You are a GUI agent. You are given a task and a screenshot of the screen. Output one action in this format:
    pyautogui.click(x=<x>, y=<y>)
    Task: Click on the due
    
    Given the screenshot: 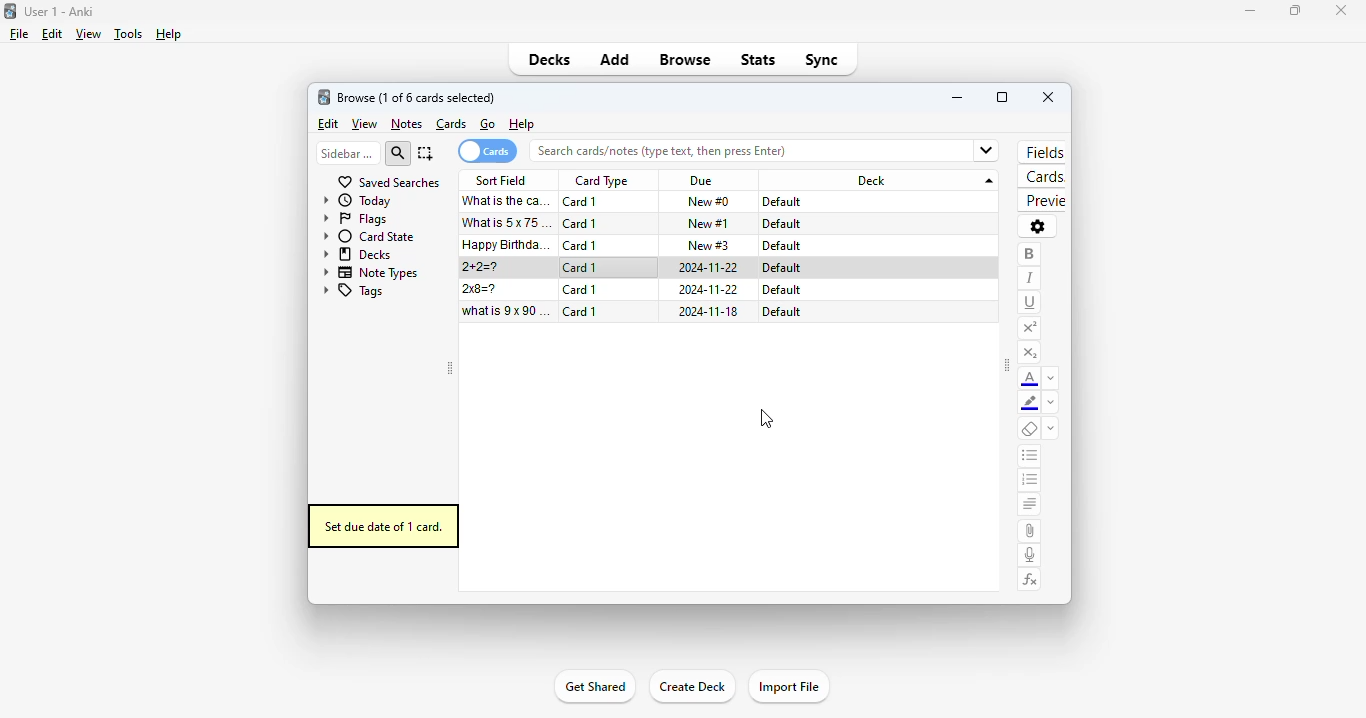 What is the action you would take?
    pyautogui.click(x=701, y=182)
    